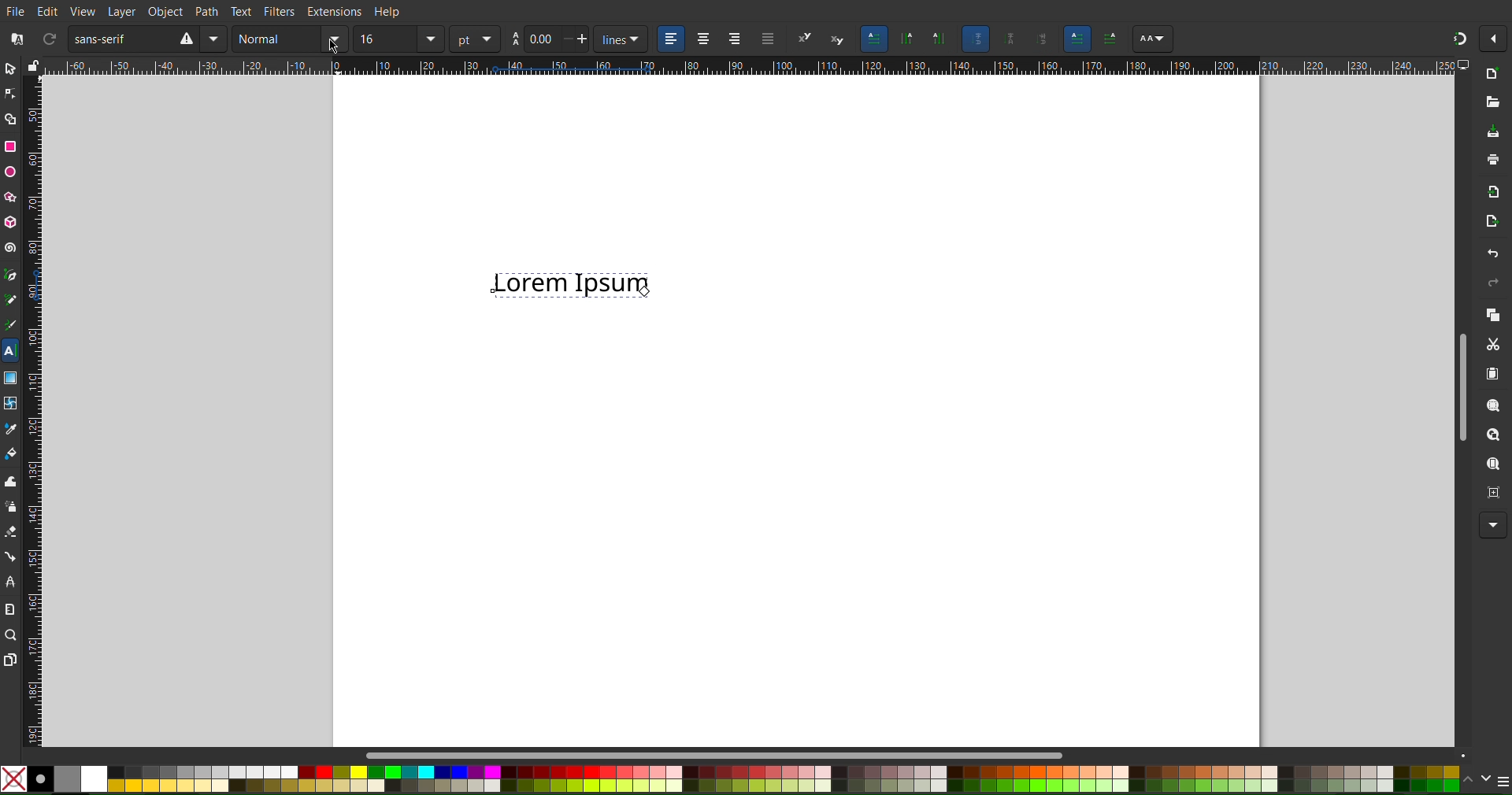 This screenshot has width=1512, height=795. I want to click on Undo, so click(1490, 253).